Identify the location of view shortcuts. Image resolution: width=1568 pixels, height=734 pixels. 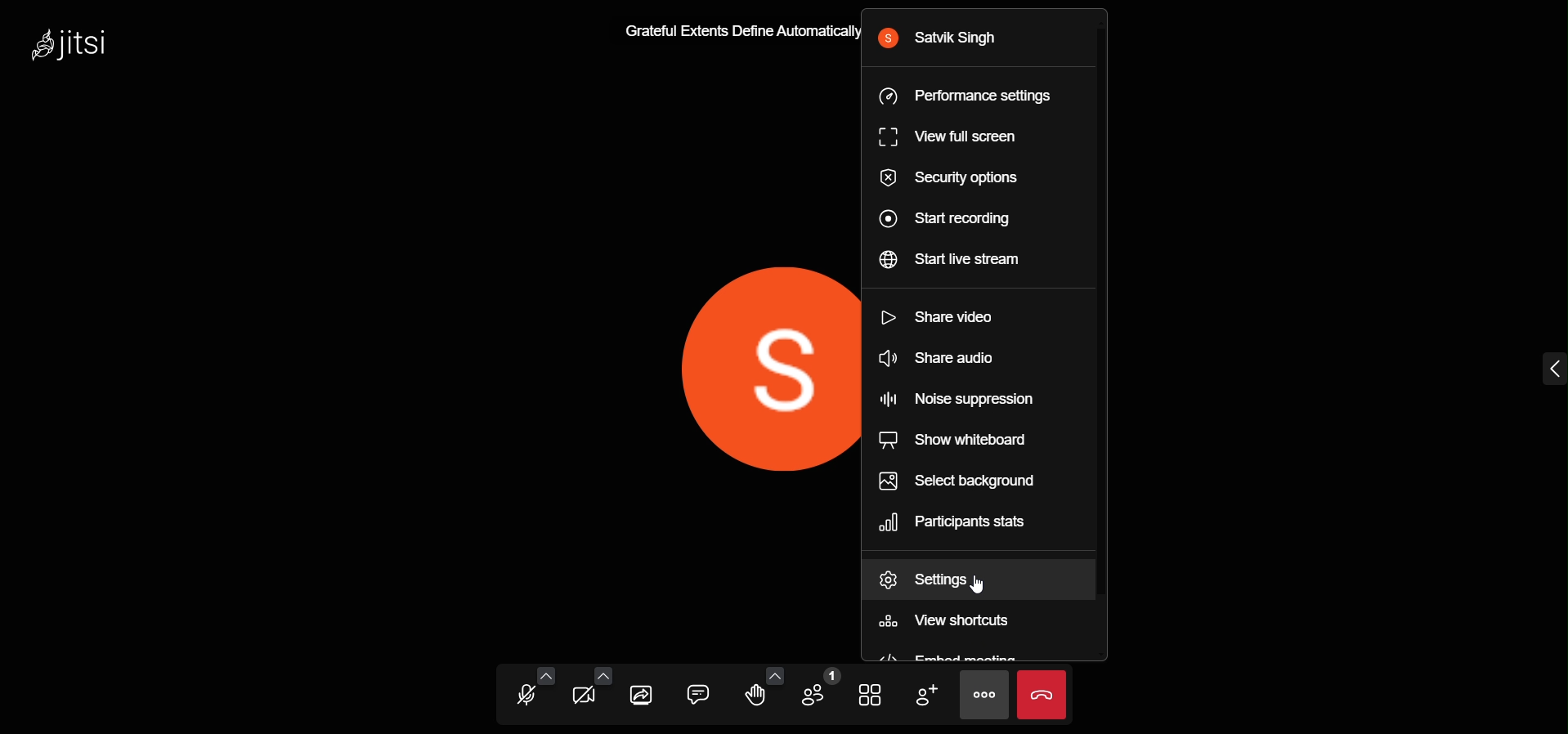
(948, 624).